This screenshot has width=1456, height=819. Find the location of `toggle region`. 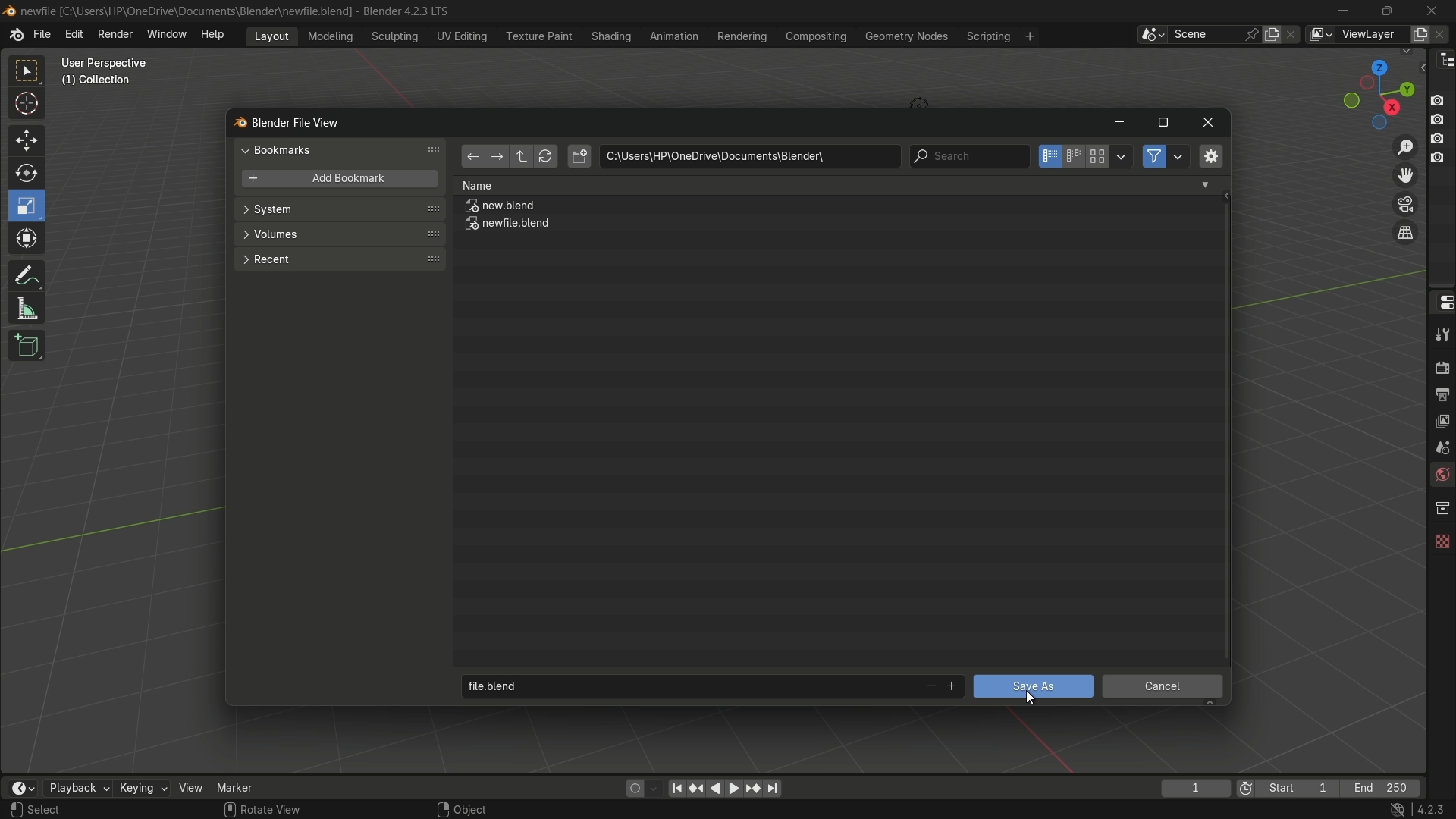

toggle region is located at coordinates (1210, 155).